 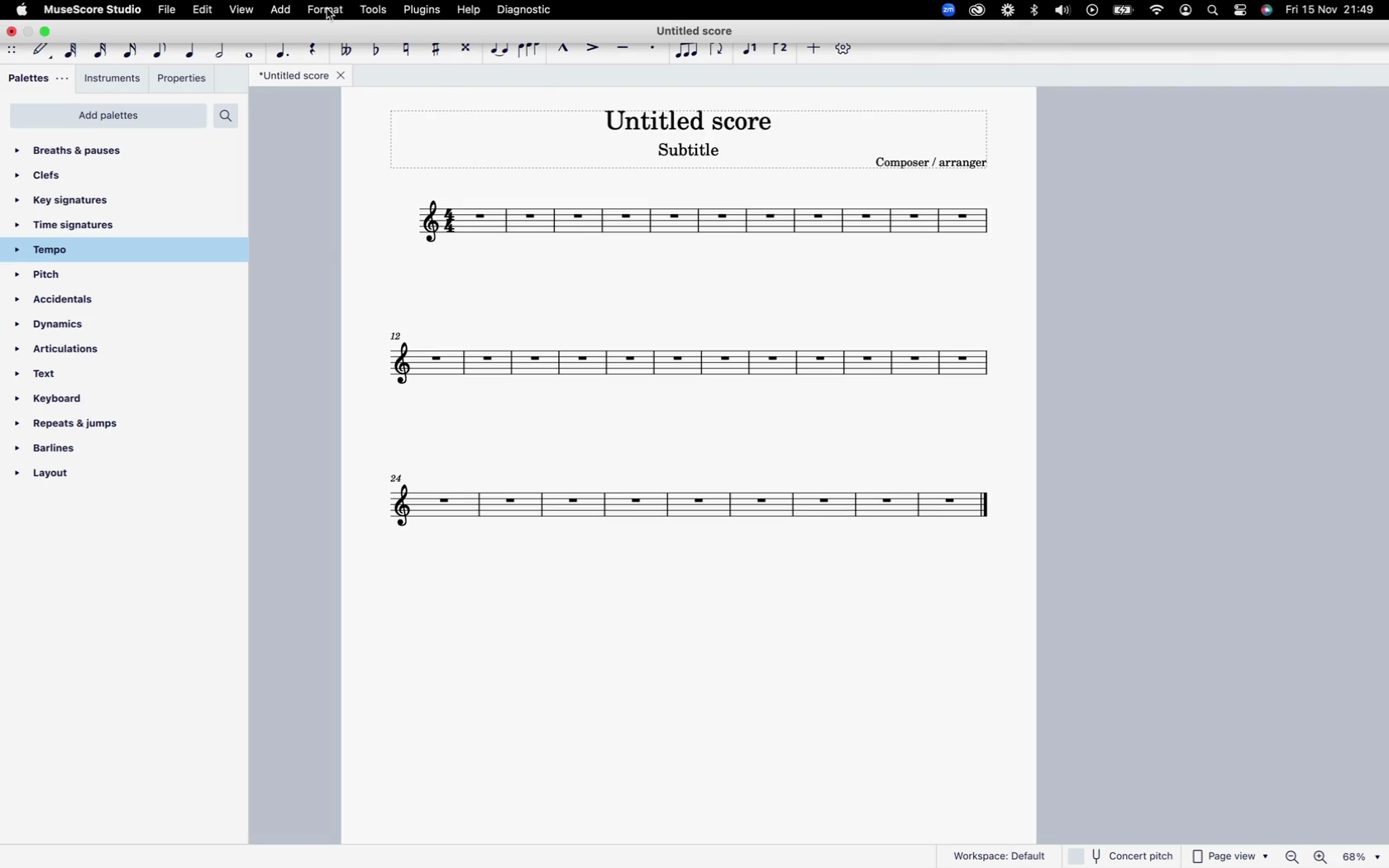 What do you see at coordinates (283, 11) in the screenshot?
I see `add` at bounding box center [283, 11].